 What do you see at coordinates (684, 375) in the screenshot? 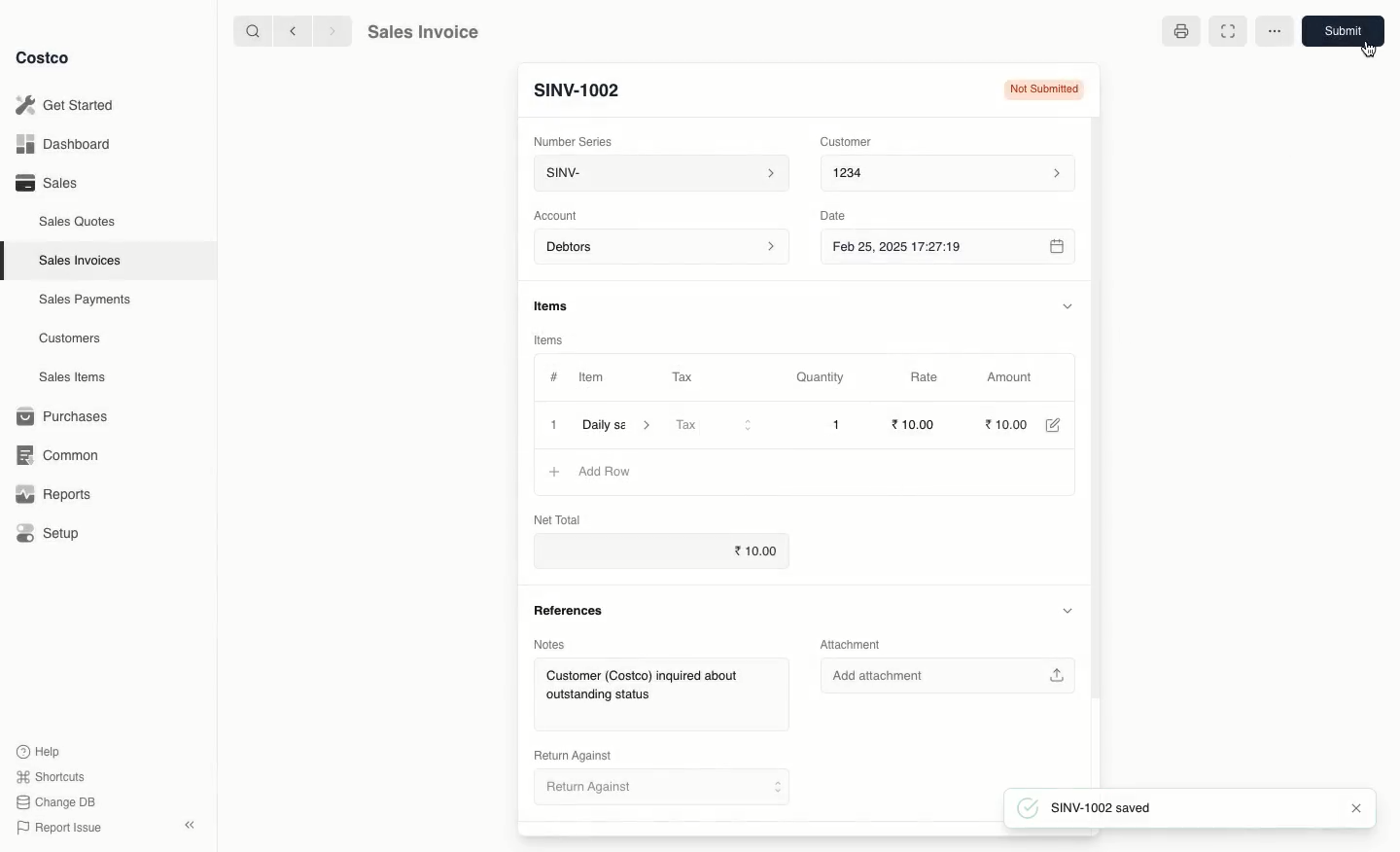
I see `Tax` at bounding box center [684, 375].